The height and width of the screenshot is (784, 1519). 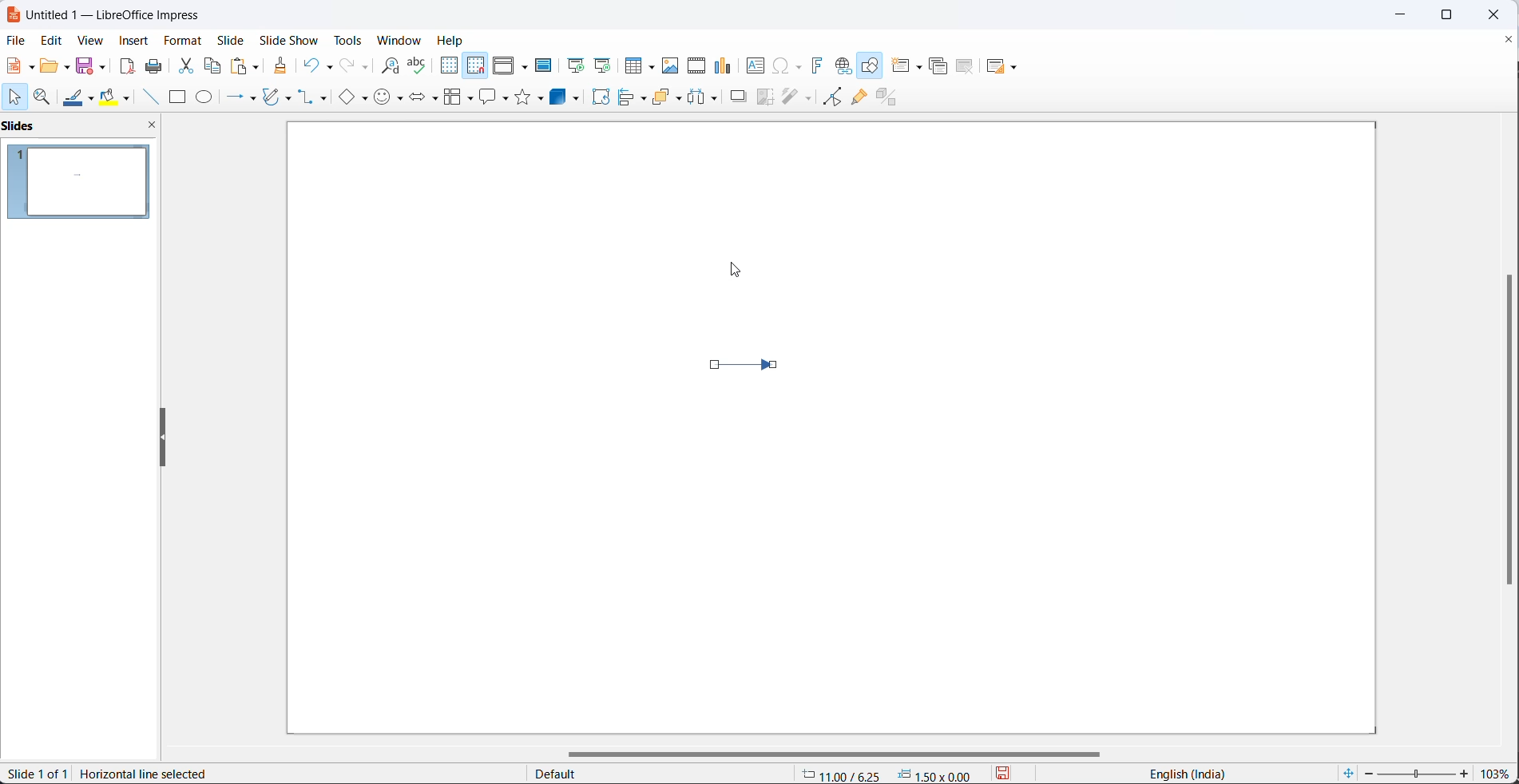 What do you see at coordinates (637, 65) in the screenshot?
I see `insert table` at bounding box center [637, 65].